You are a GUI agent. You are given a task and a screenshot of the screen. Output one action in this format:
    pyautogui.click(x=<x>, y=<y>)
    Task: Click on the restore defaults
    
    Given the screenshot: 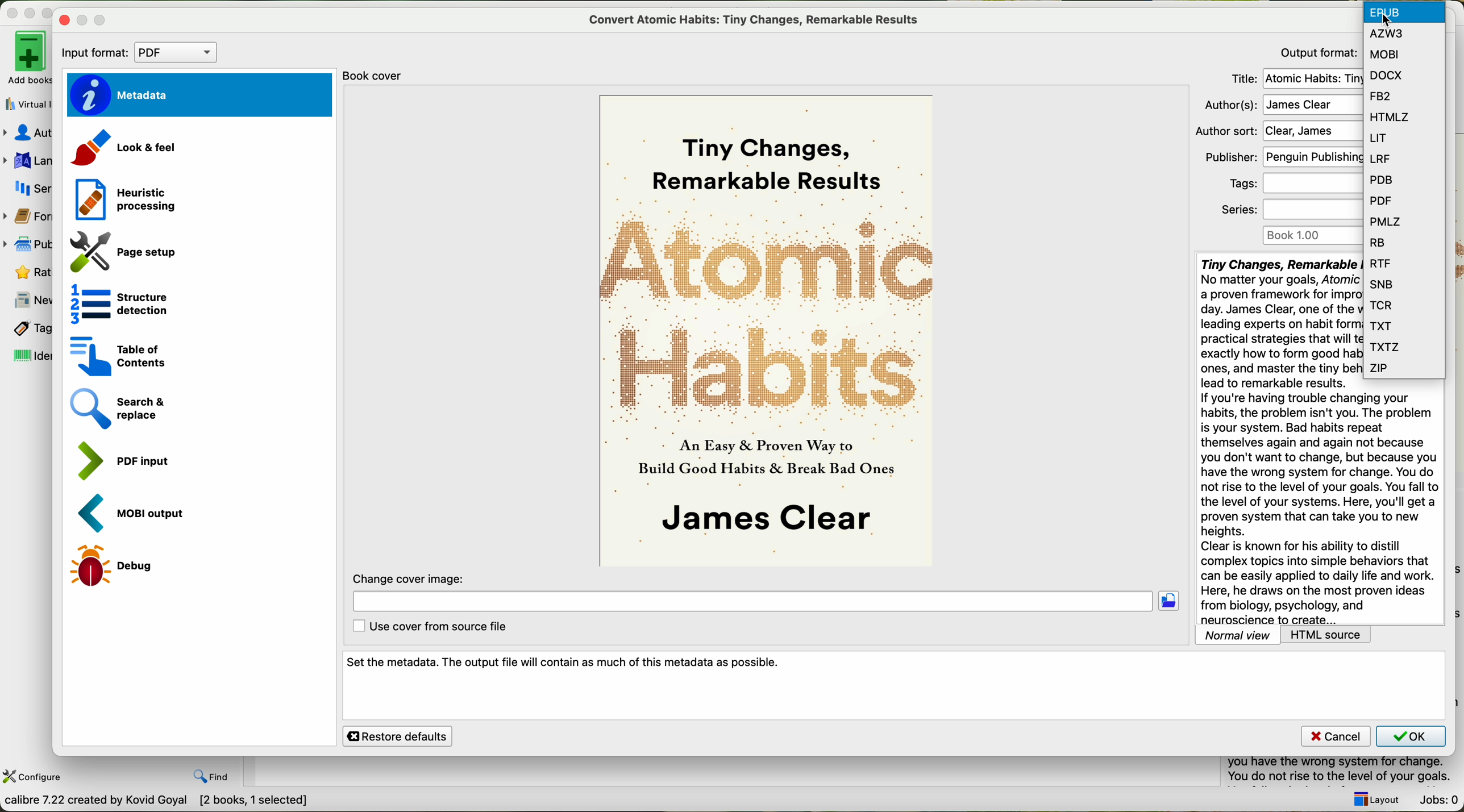 What is the action you would take?
    pyautogui.click(x=397, y=736)
    